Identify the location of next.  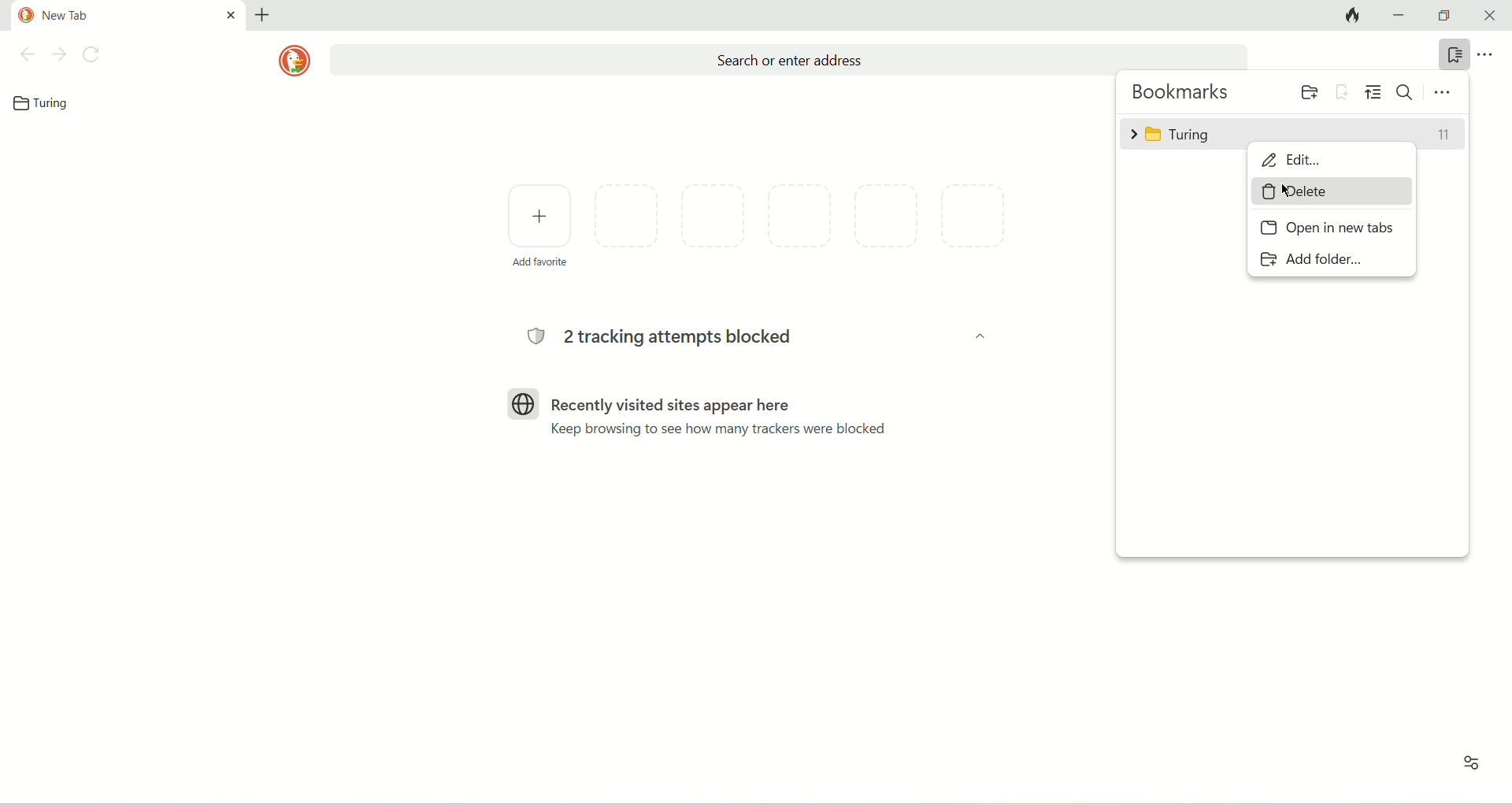
(60, 54).